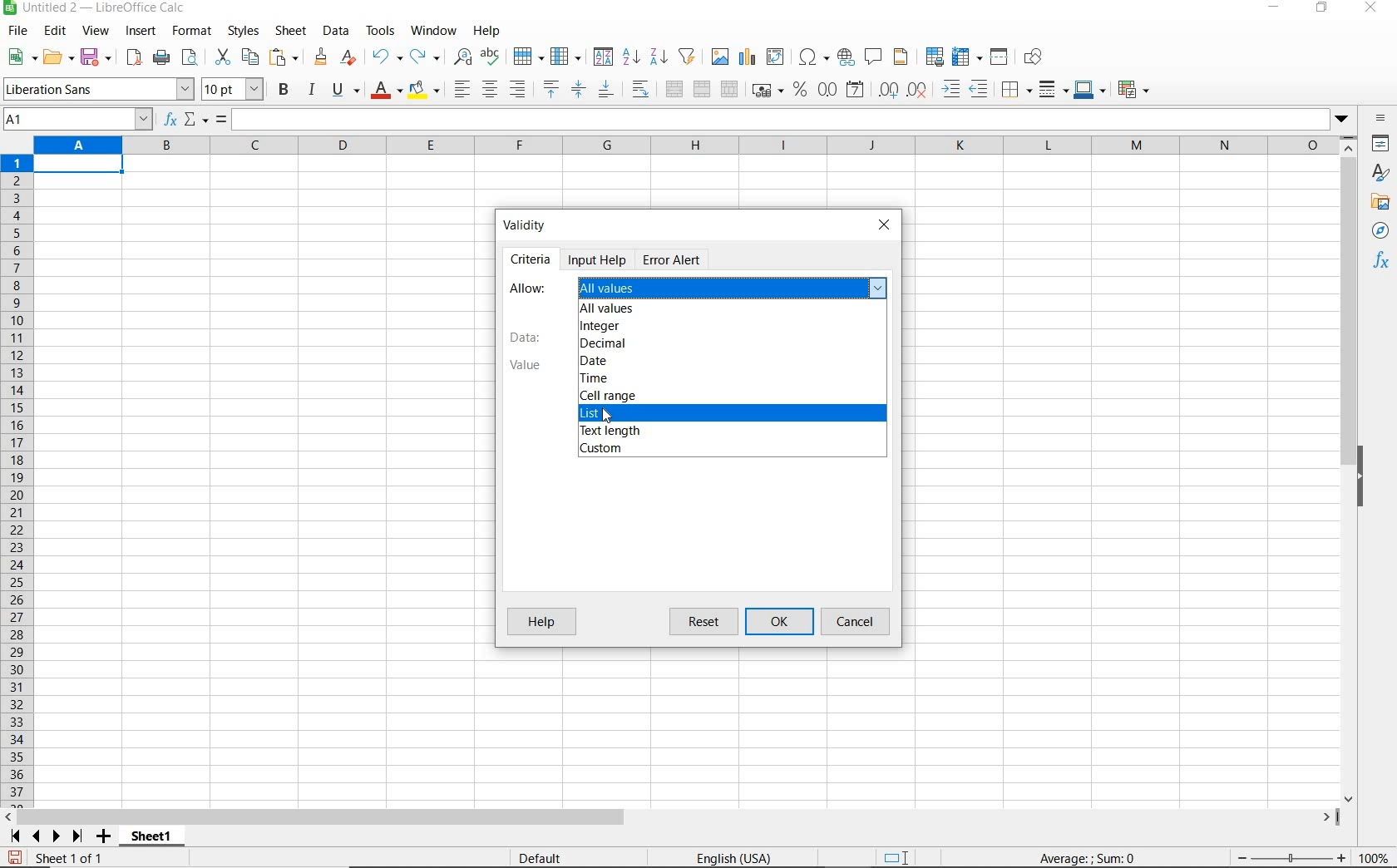 The image size is (1397, 868). Describe the element at coordinates (609, 310) in the screenshot. I see `all values` at that location.